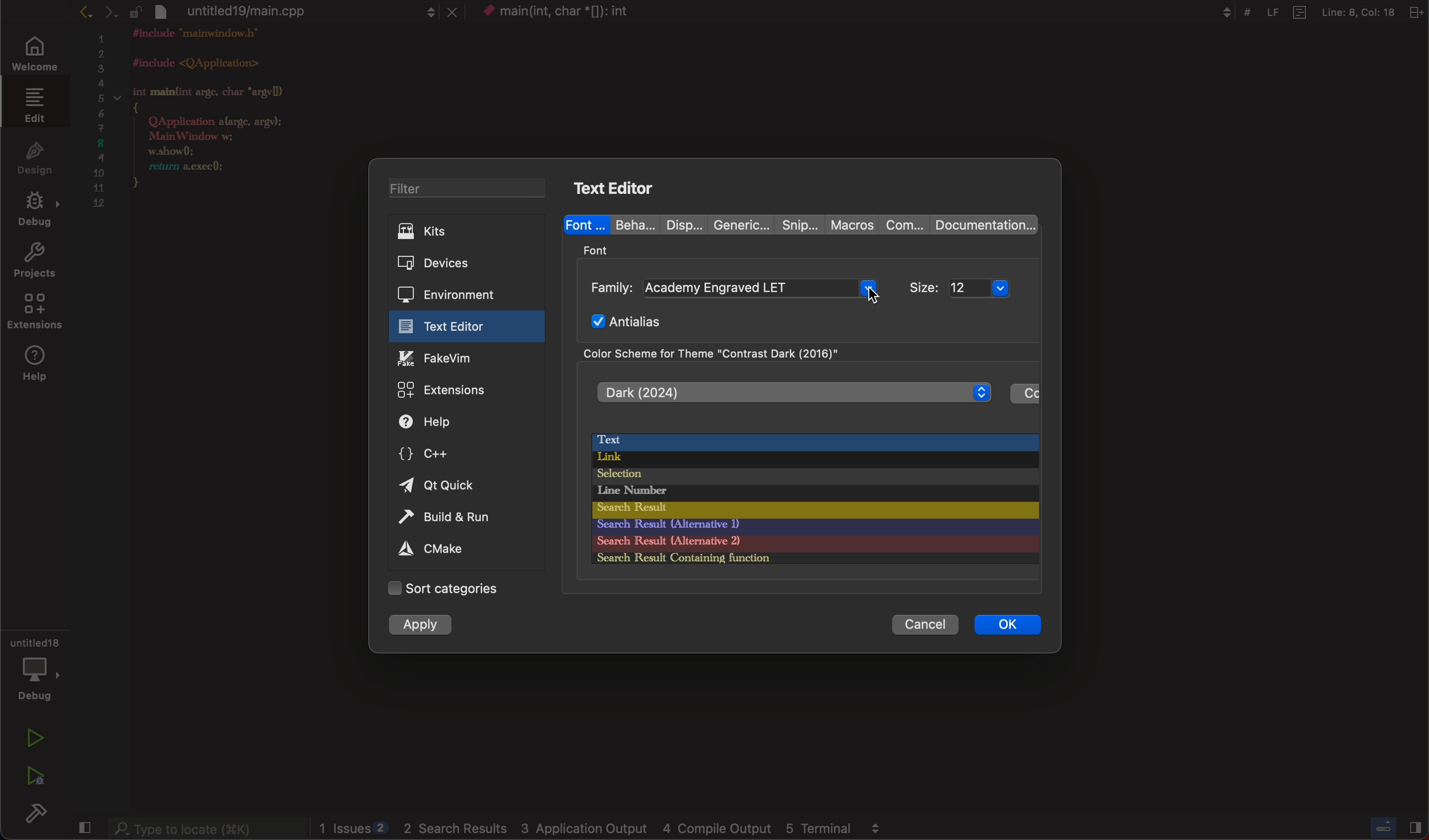  Describe the element at coordinates (441, 486) in the screenshot. I see `quick` at that location.